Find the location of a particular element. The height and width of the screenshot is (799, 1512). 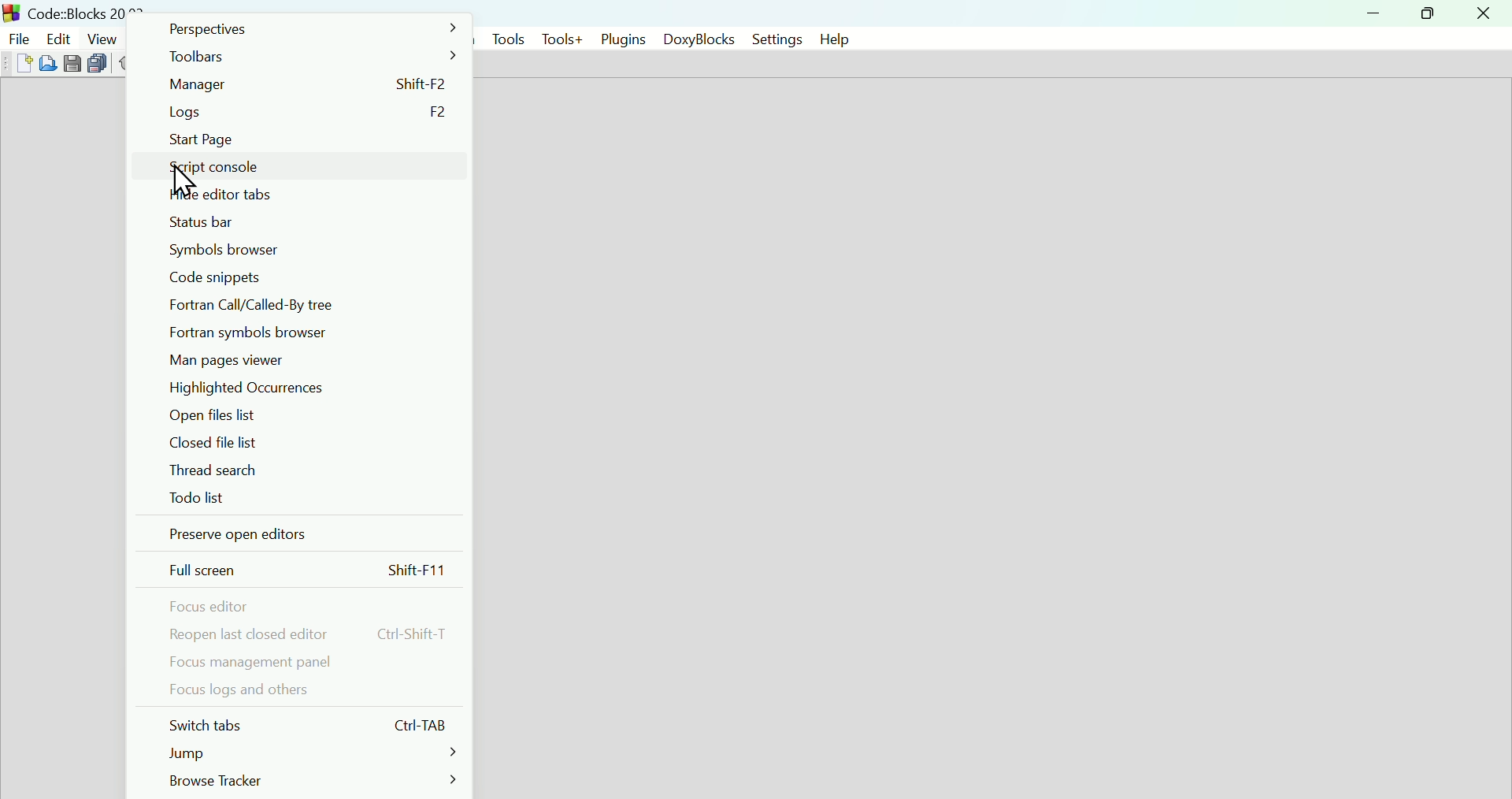

Browse tracker is located at coordinates (313, 781).